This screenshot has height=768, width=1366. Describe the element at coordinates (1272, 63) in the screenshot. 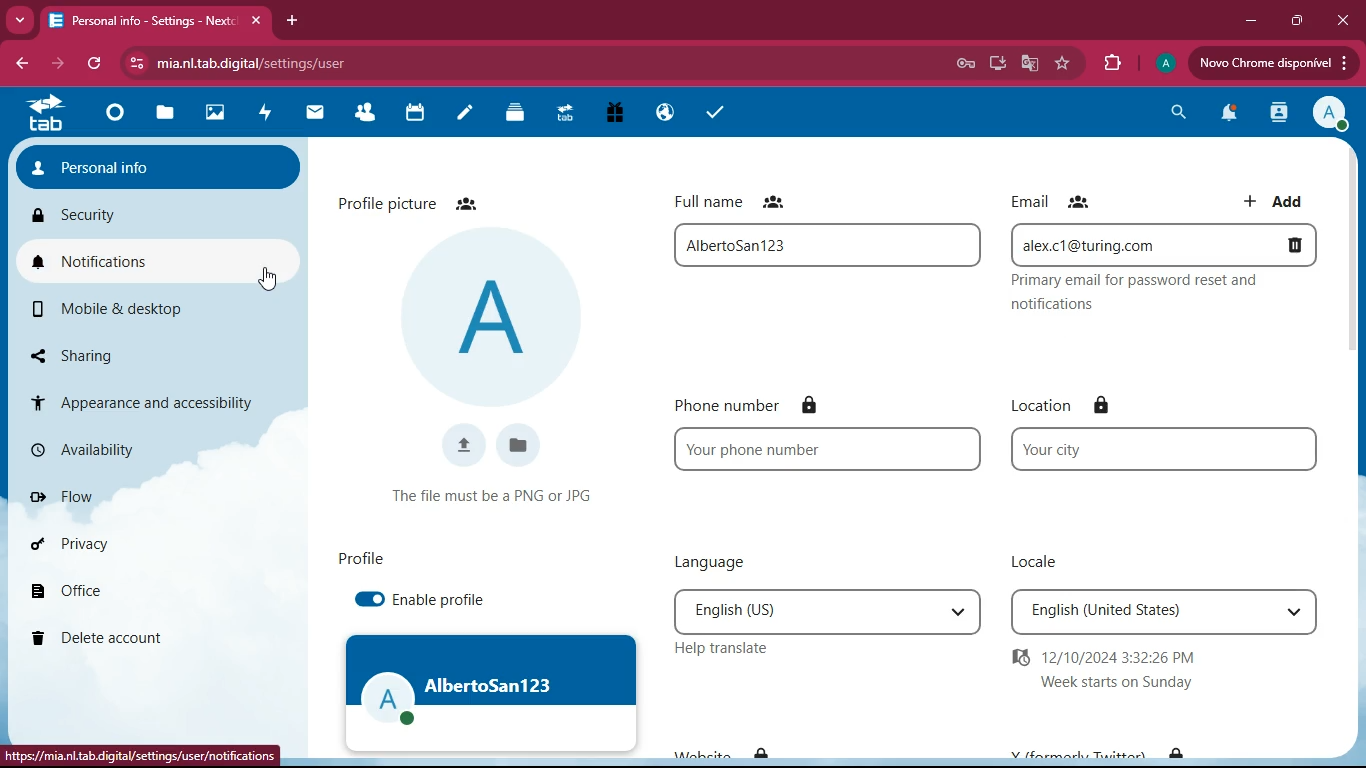

I see `update` at that location.